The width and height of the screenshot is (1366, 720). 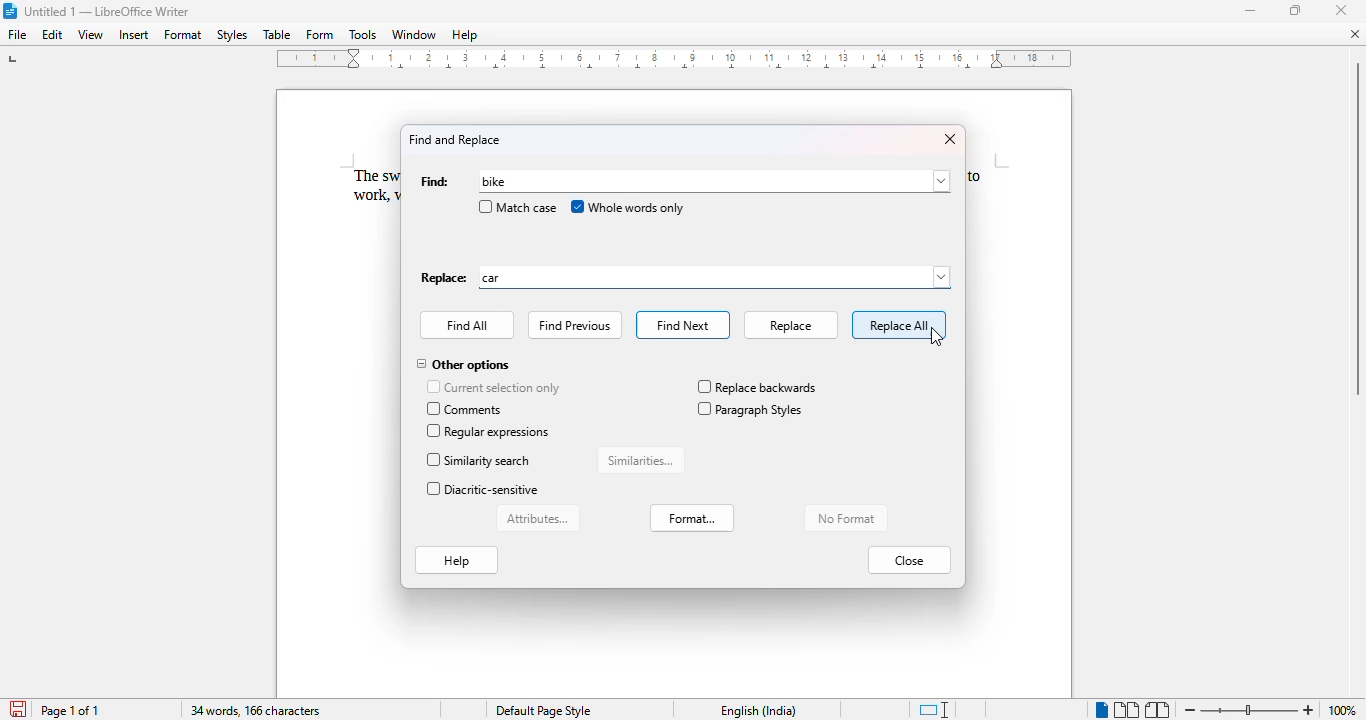 I want to click on page 1 of 1, so click(x=70, y=710).